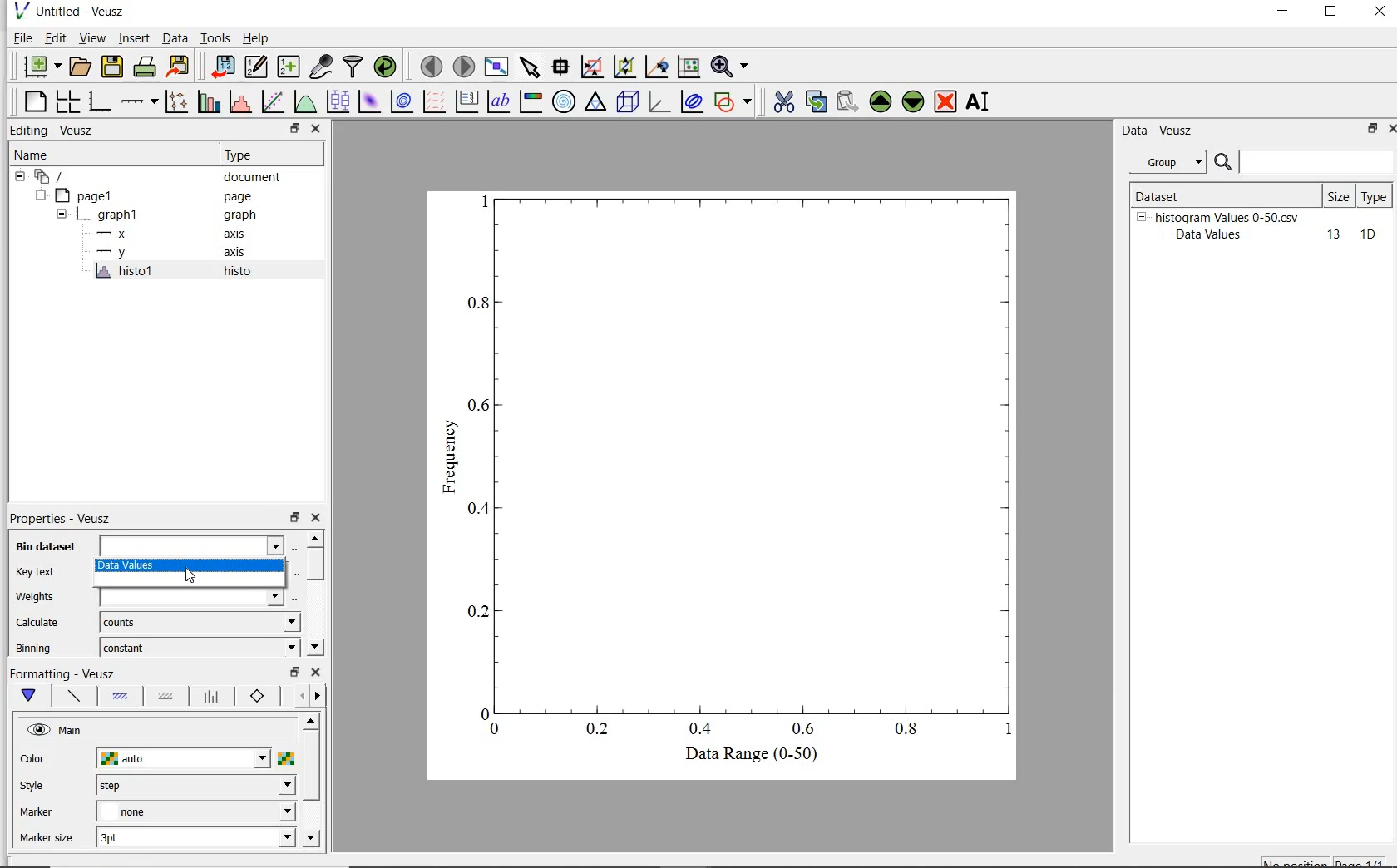  Describe the element at coordinates (1326, 235) in the screenshot. I see `13` at that location.